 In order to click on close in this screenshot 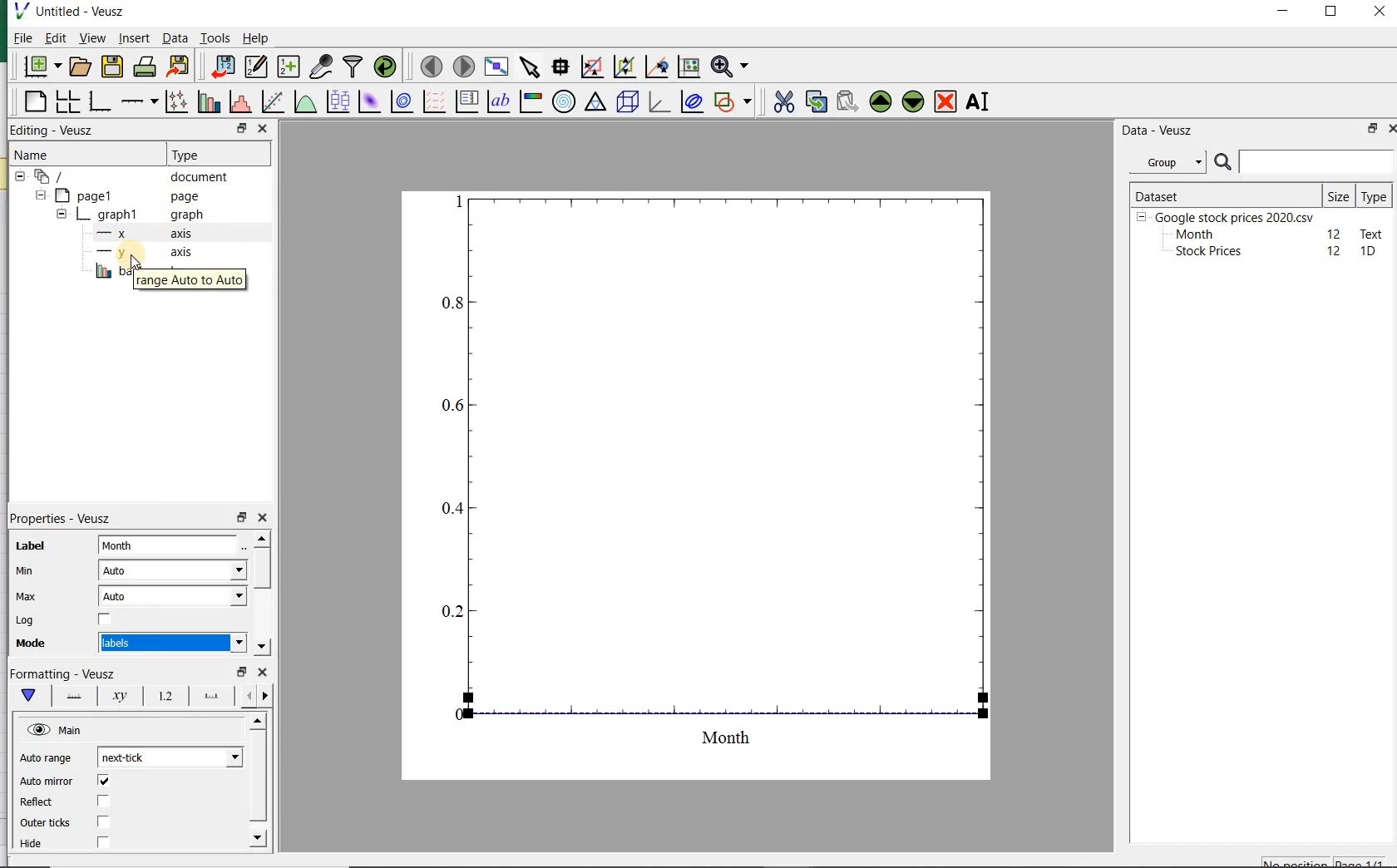, I will do `click(264, 518)`.